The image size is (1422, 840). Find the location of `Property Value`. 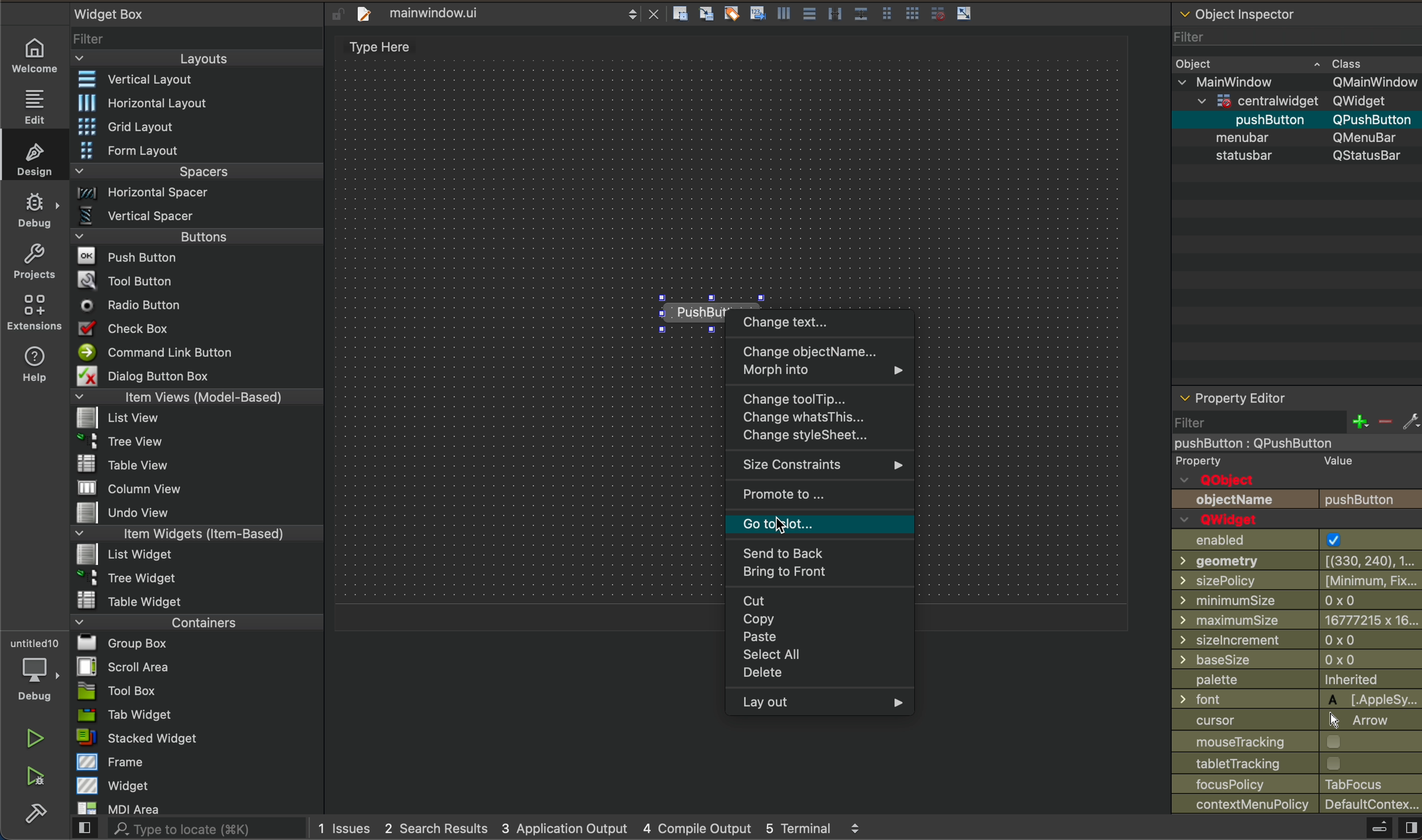

Property Value is located at coordinates (1268, 461).